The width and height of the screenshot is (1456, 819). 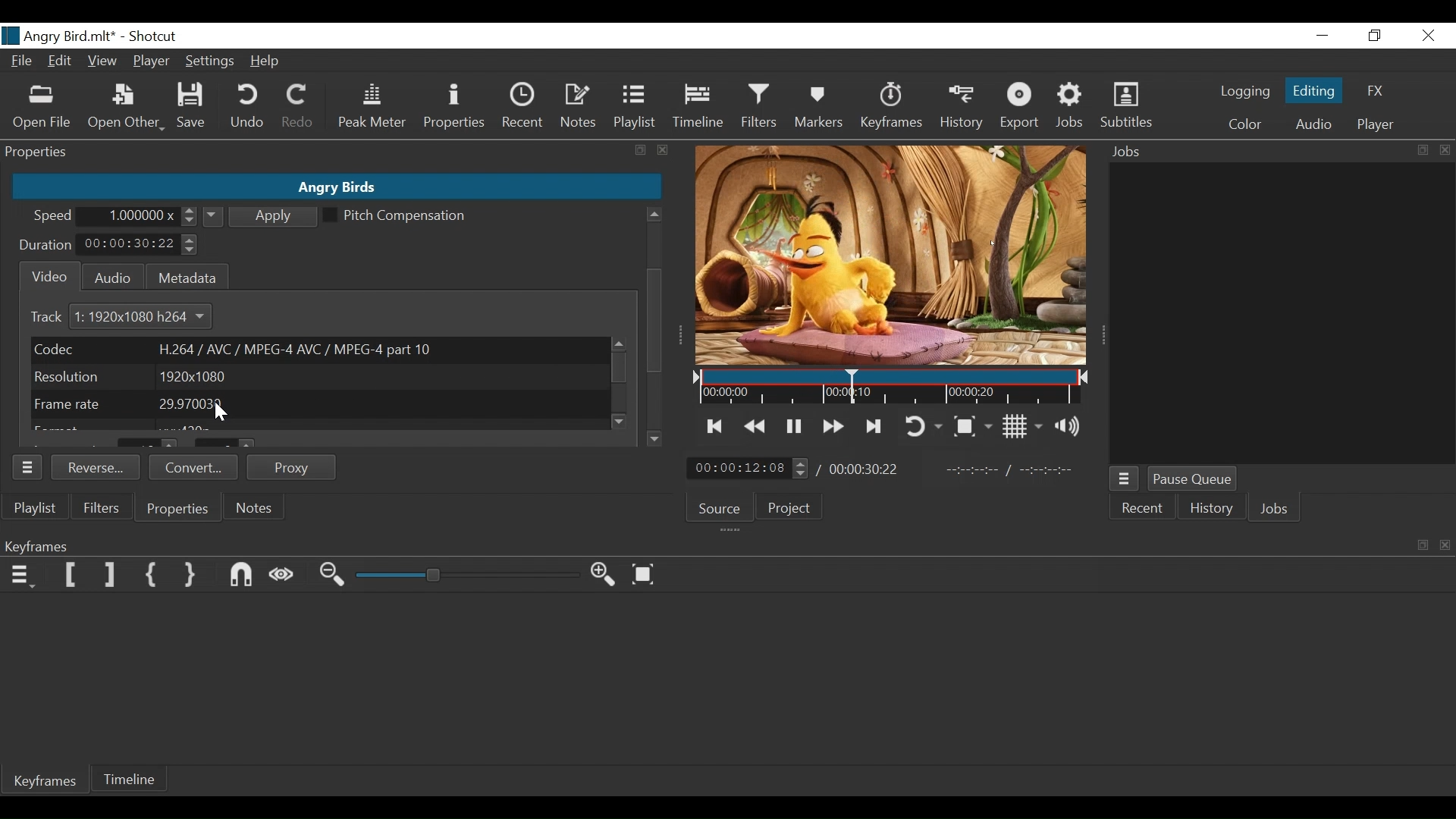 I want to click on Play backward quickly, so click(x=755, y=426).